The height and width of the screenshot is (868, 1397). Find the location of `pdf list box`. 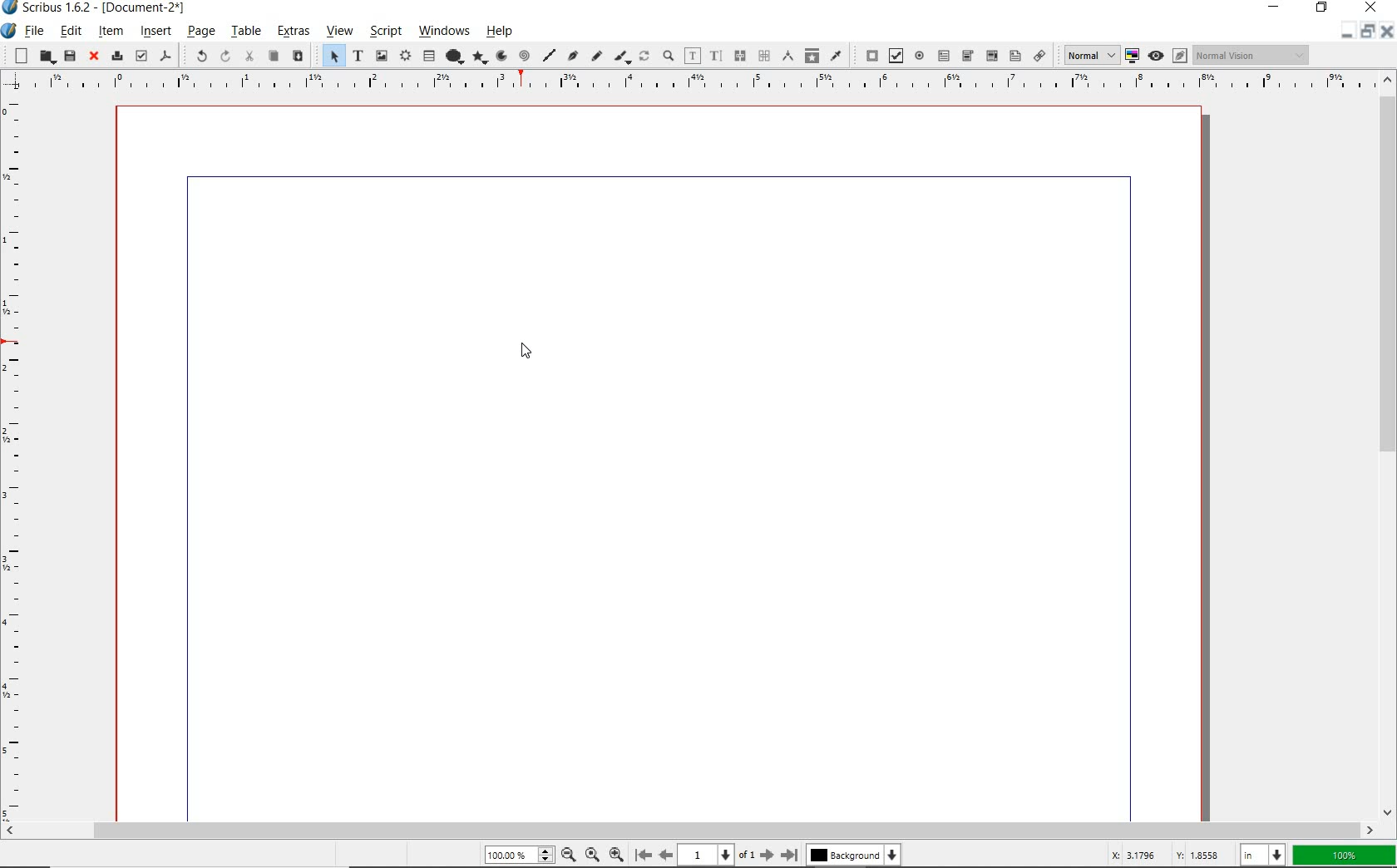

pdf list box is located at coordinates (1015, 57).